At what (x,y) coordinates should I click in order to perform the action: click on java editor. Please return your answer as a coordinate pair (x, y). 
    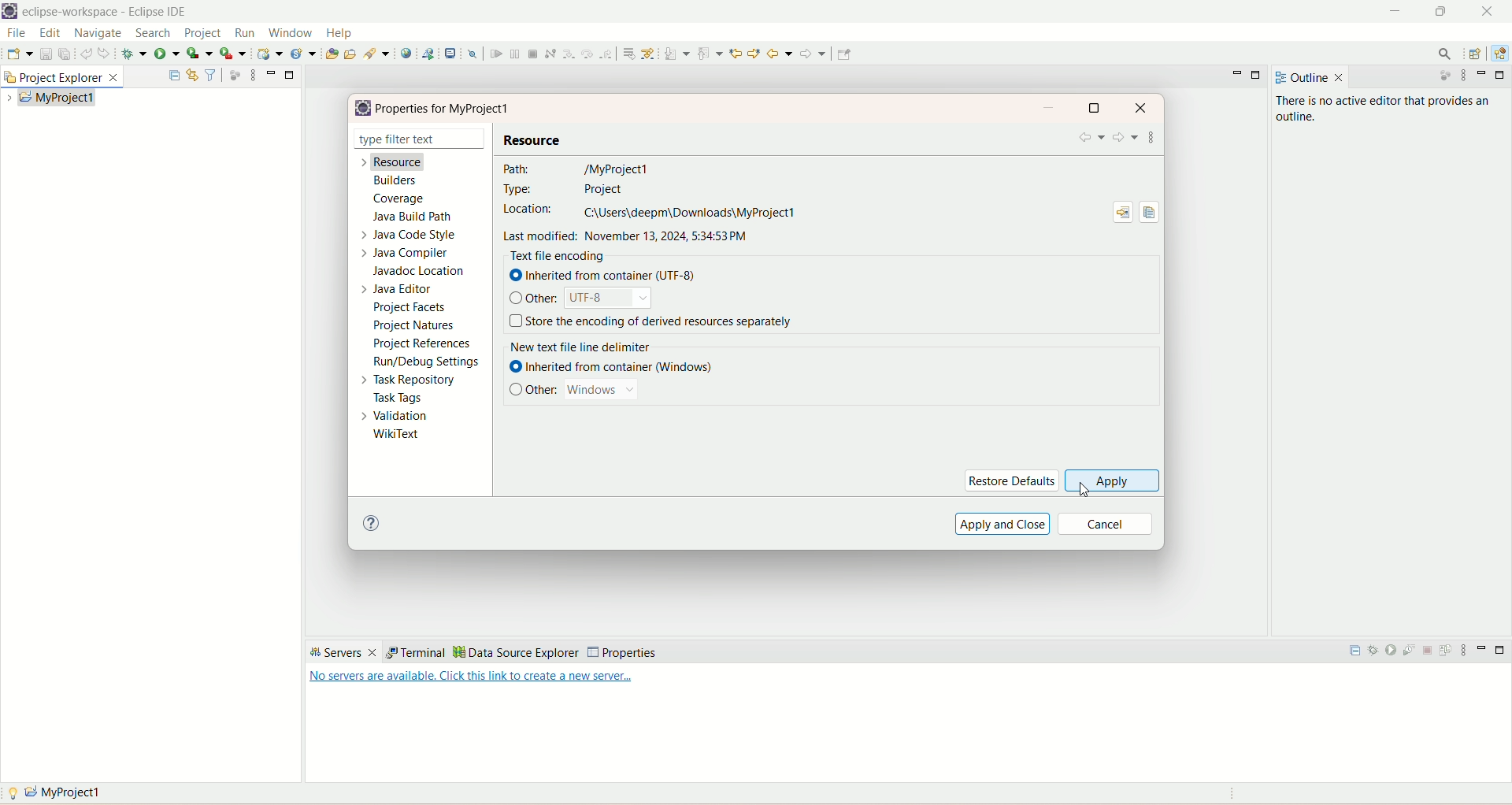
    Looking at the image, I should click on (392, 290).